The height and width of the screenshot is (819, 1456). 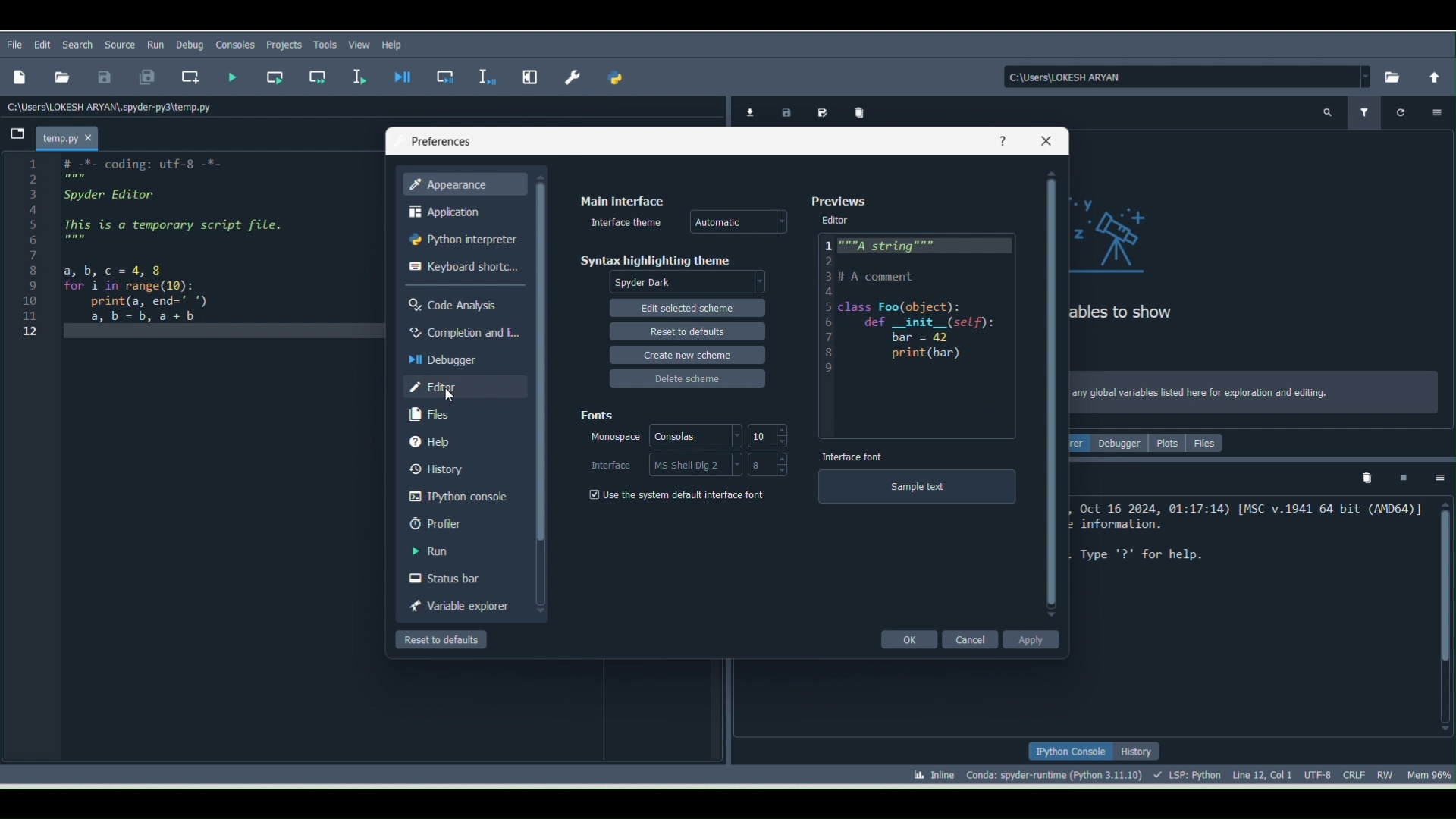 What do you see at coordinates (838, 220) in the screenshot?
I see `Editor` at bounding box center [838, 220].